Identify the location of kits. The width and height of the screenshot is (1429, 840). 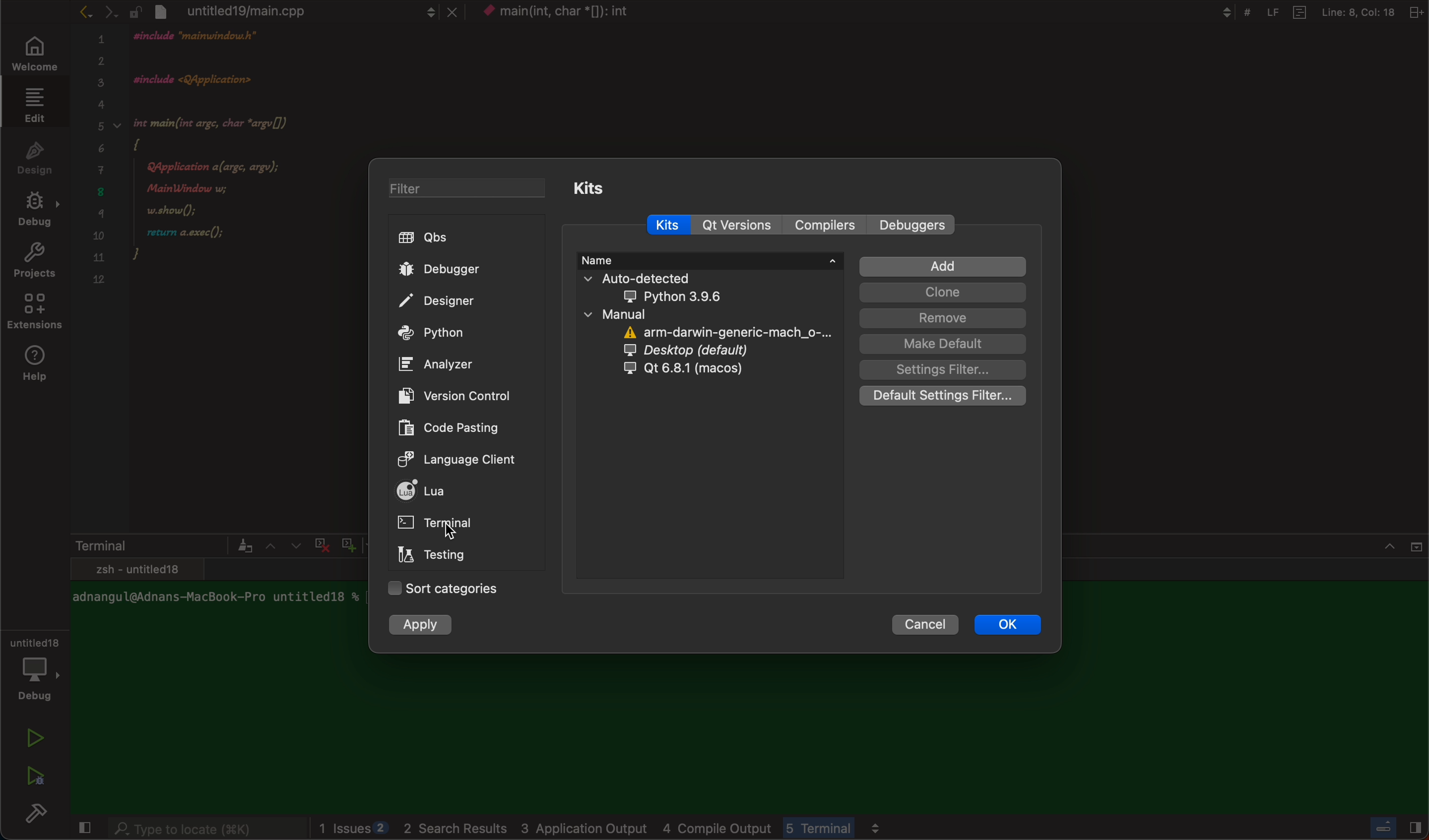
(585, 188).